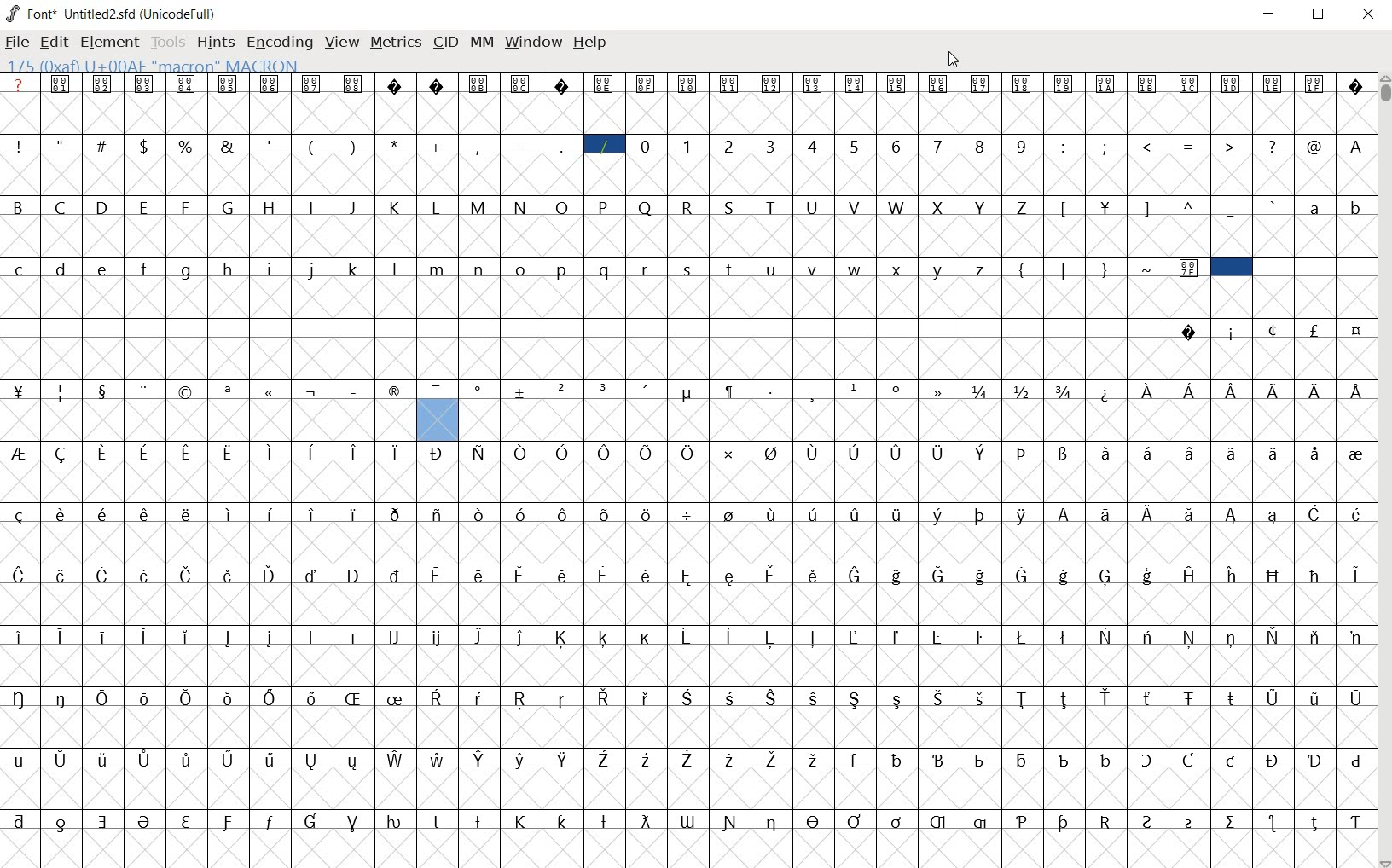 The height and width of the screenshot is (868, 1392). Describe the element at coordinates (1230, 821) in the screenshot. I see `Symbol` at that location.